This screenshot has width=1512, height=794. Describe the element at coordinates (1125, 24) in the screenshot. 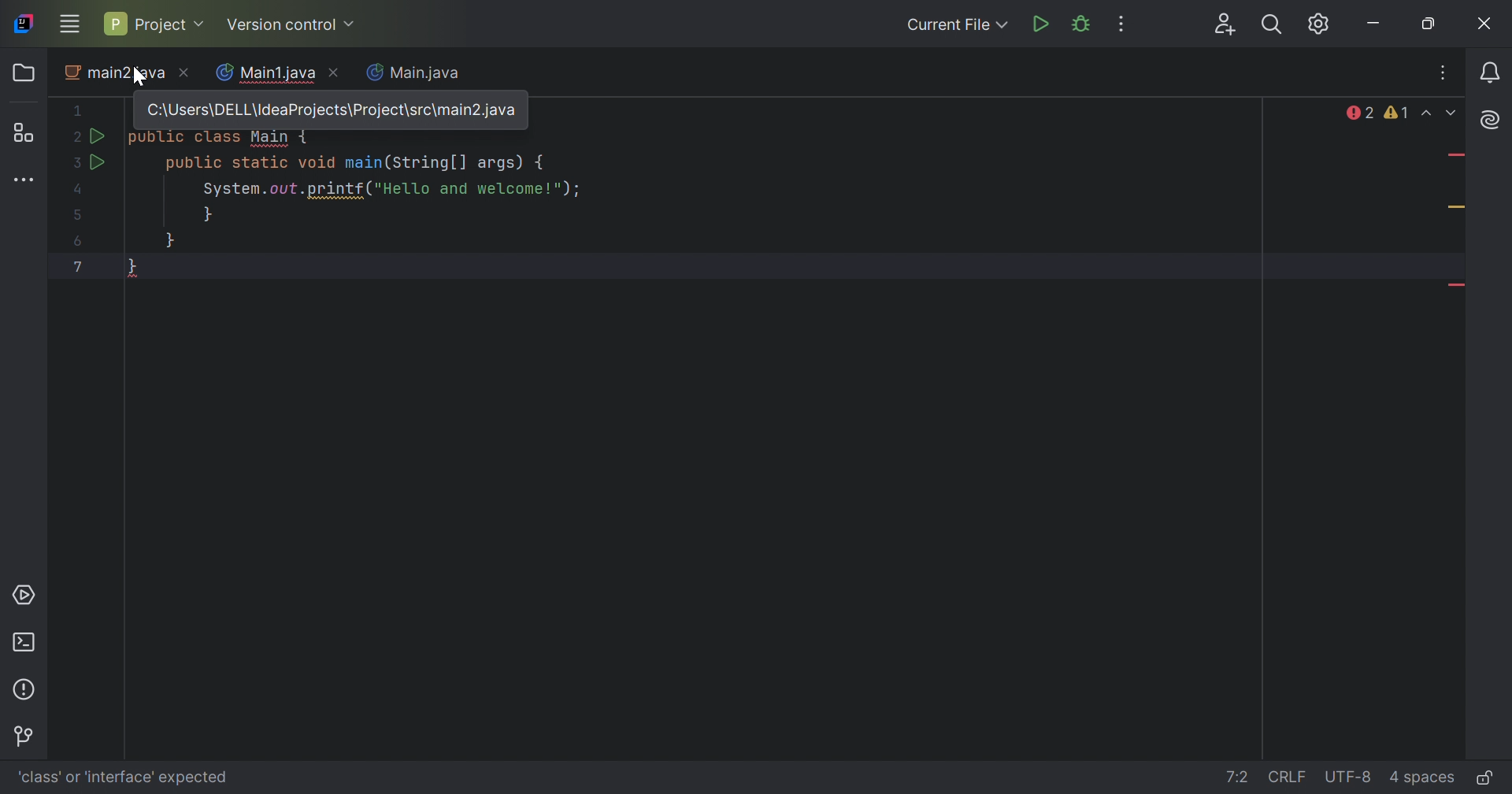

I see `More Actions` at that location.